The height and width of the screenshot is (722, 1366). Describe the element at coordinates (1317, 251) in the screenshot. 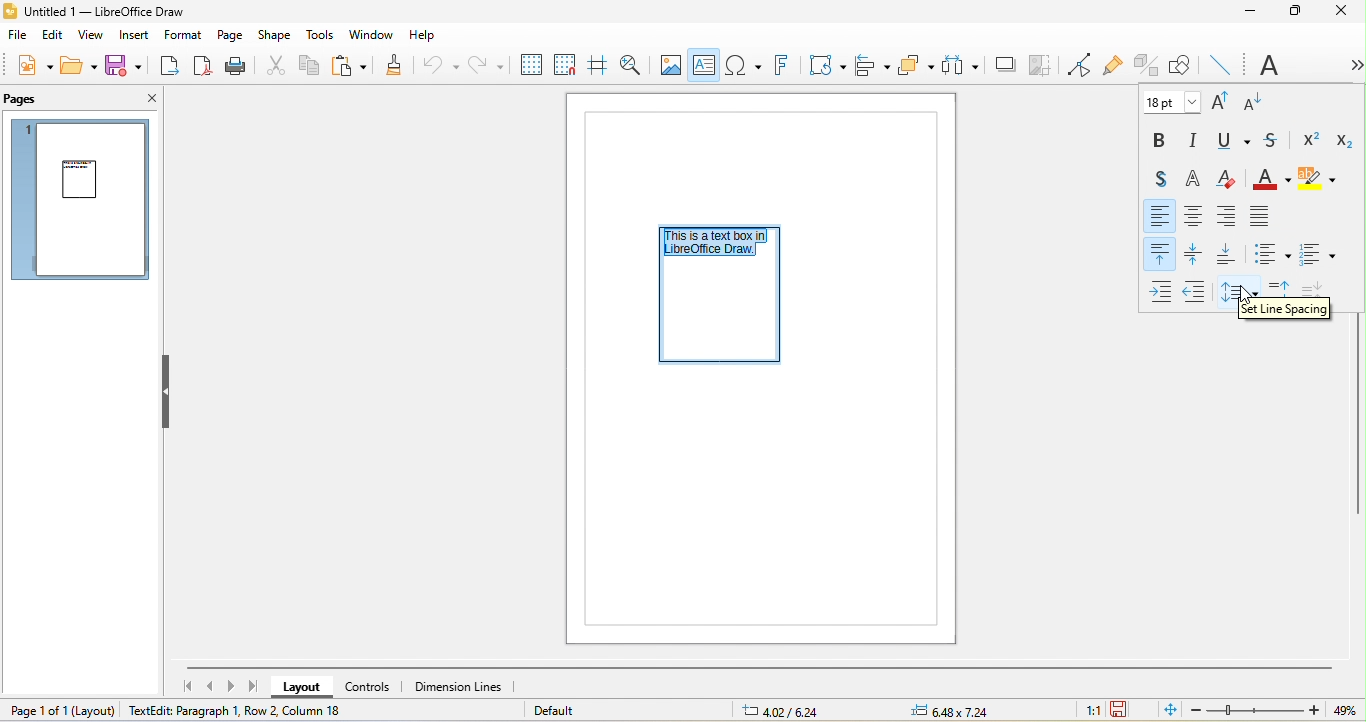

I see `toggle ordered list ` at that location.